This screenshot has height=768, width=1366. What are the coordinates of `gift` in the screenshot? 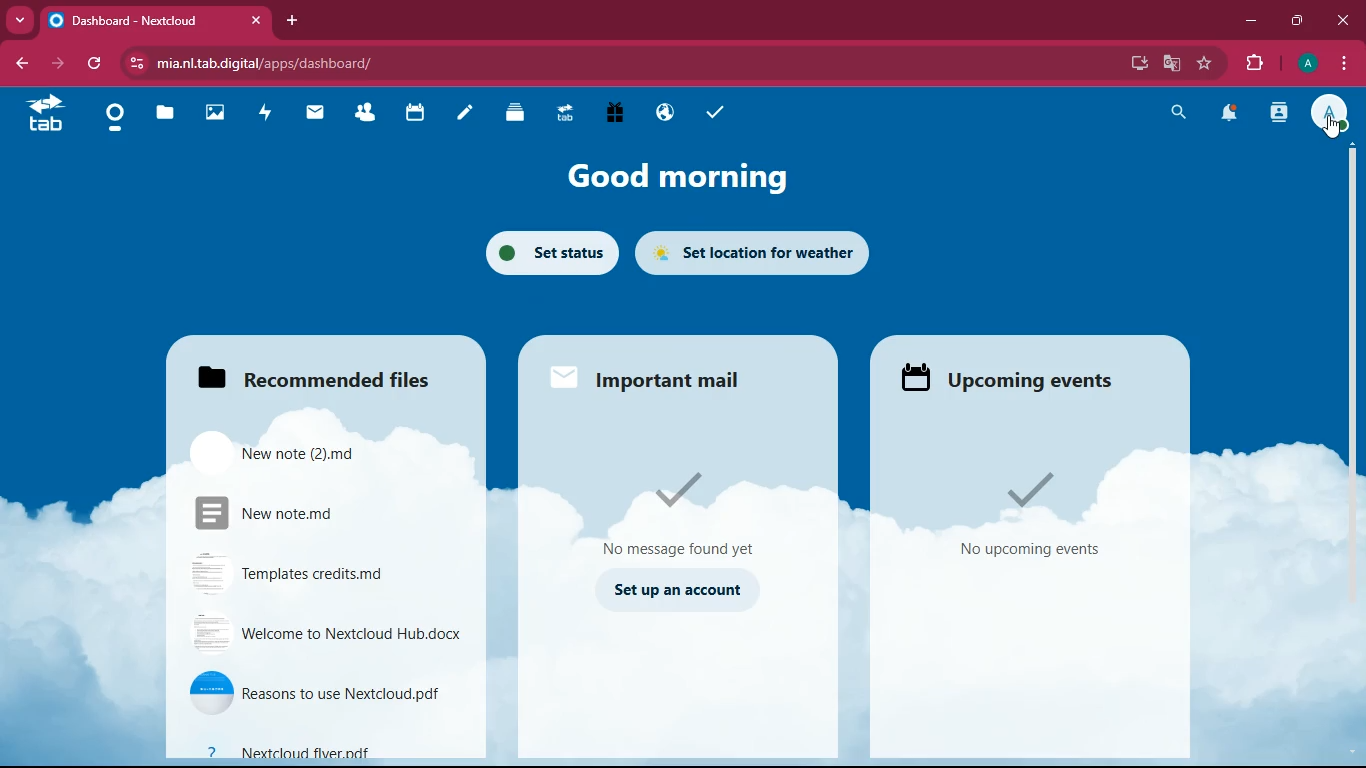 It's located at (613, 112).